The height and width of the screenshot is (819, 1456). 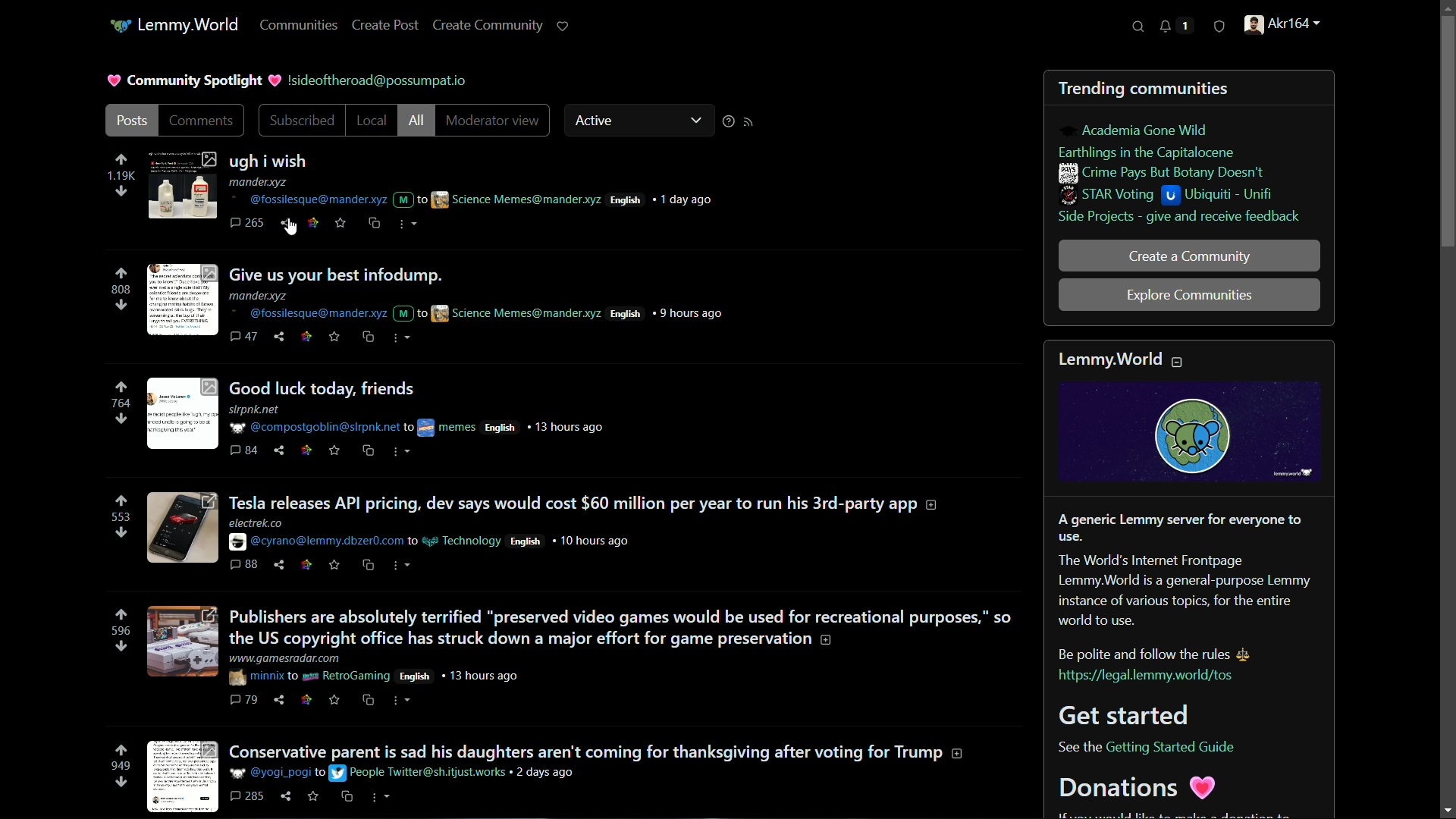 What do you see at coordinates (243, 337) in the screenshot?
I see `47 comments` at bounding box center [243, 337].